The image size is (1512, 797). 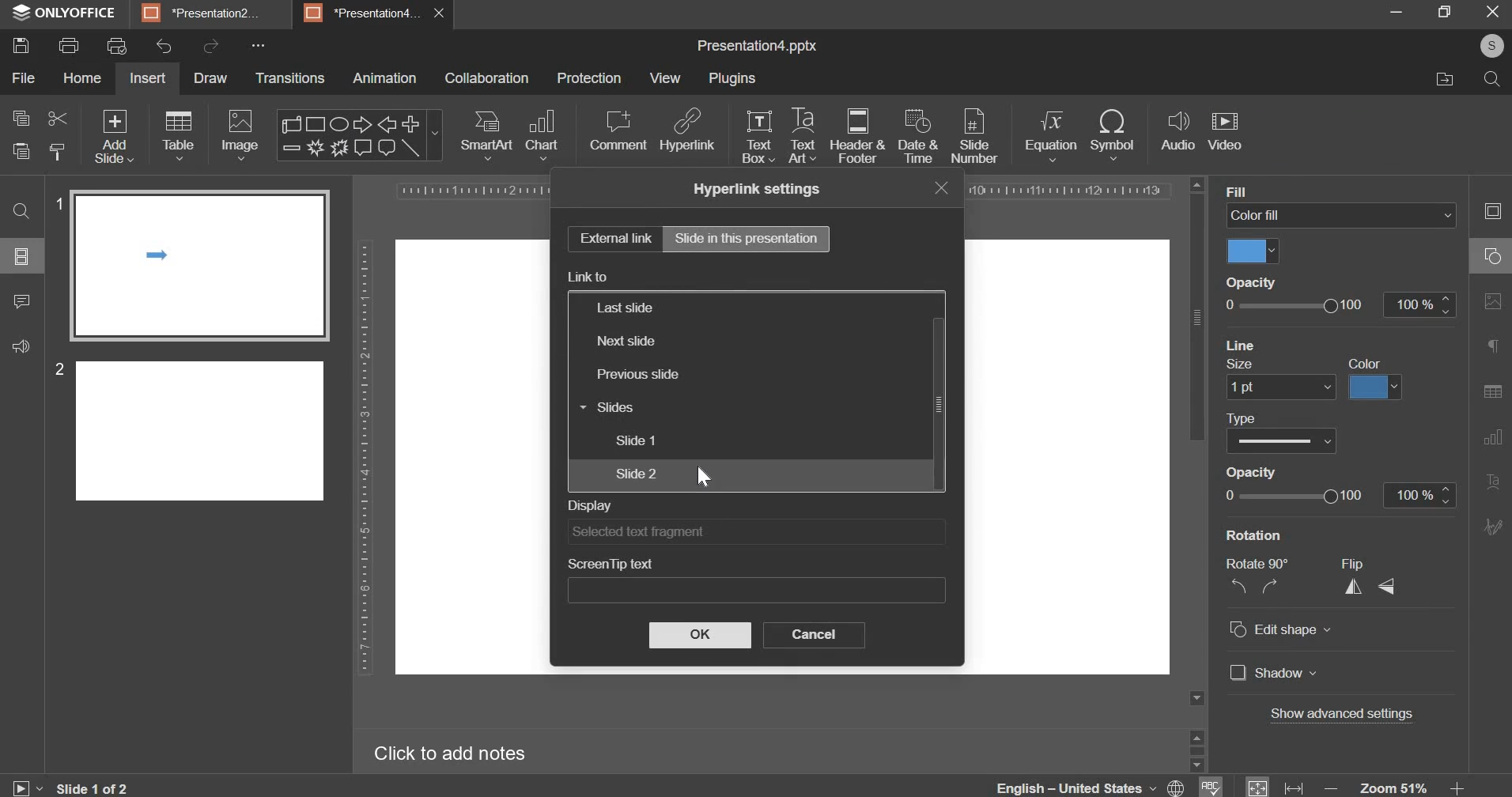 What do you see at coordinates (1259, 365) in the screenshot?
I see `reset background` at bounding box center [1259, 365].